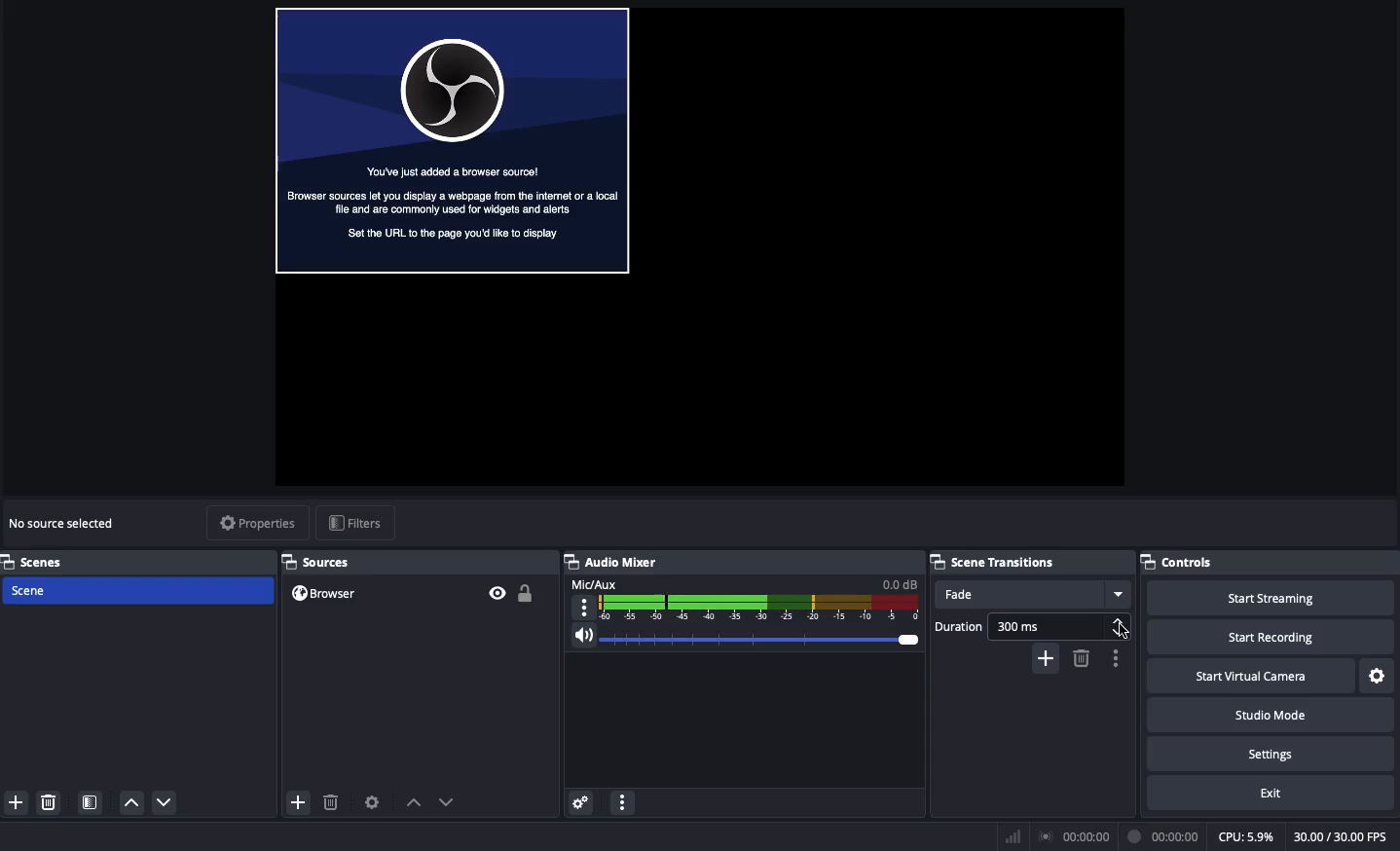  What do you see at coordinates (61, 523) in the screenshot?
I see `No source selected` at bounding box center [61, 523].